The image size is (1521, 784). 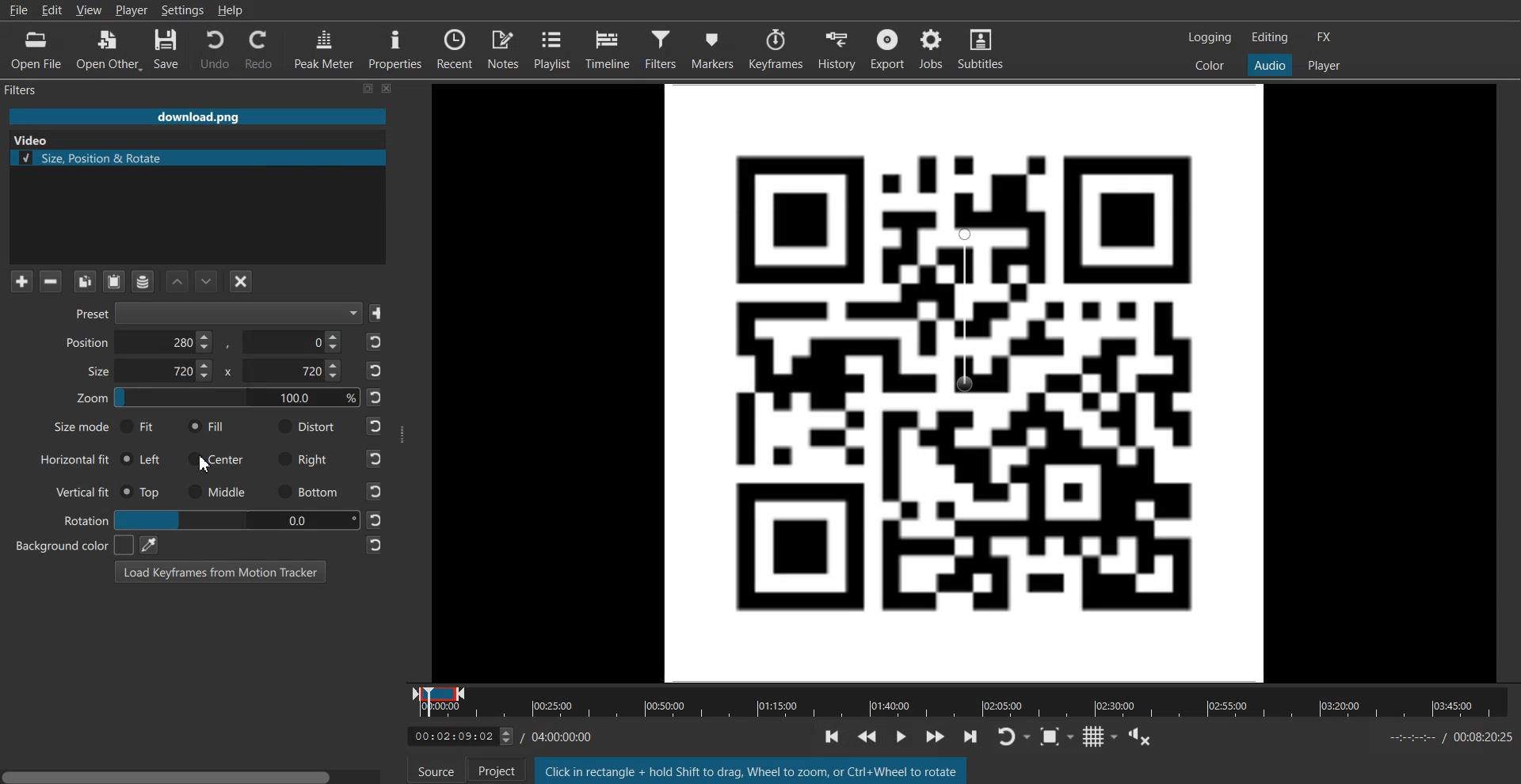 I want to click on Time, so click(x=563, y=735).